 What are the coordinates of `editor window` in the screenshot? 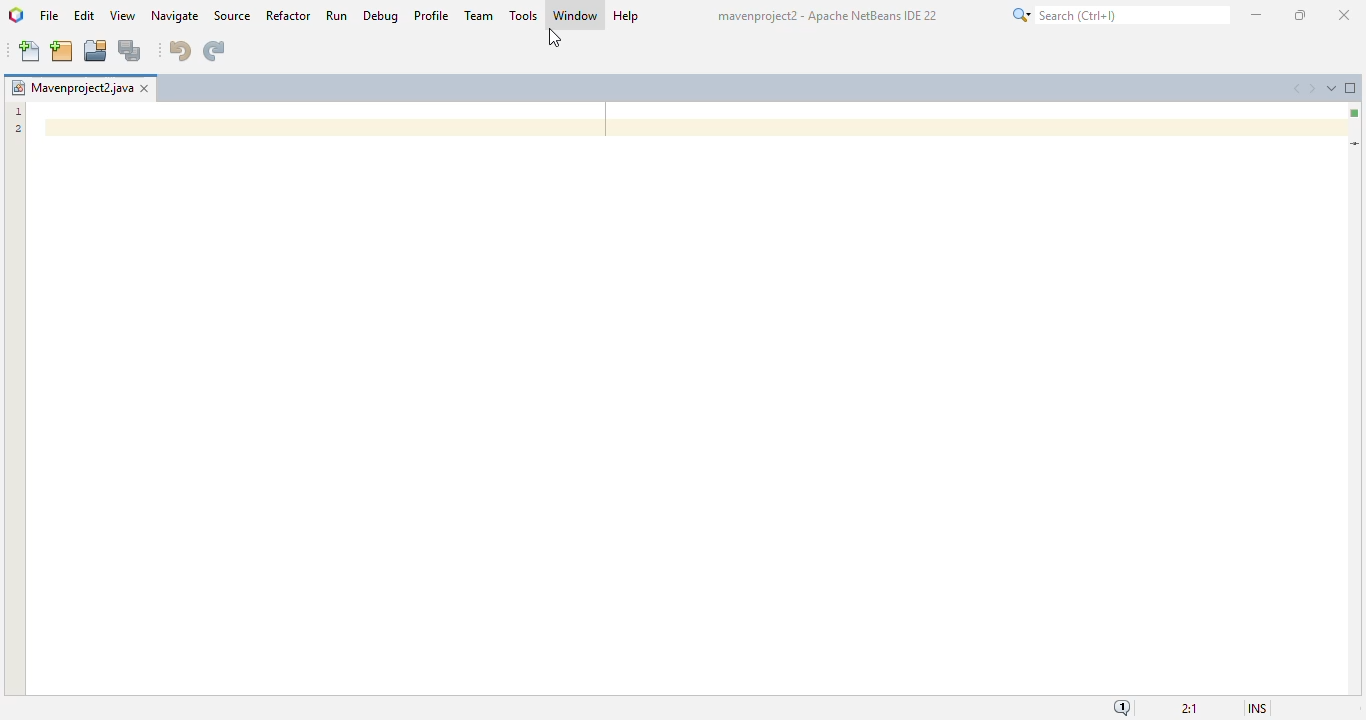 It's located at (688, 400).